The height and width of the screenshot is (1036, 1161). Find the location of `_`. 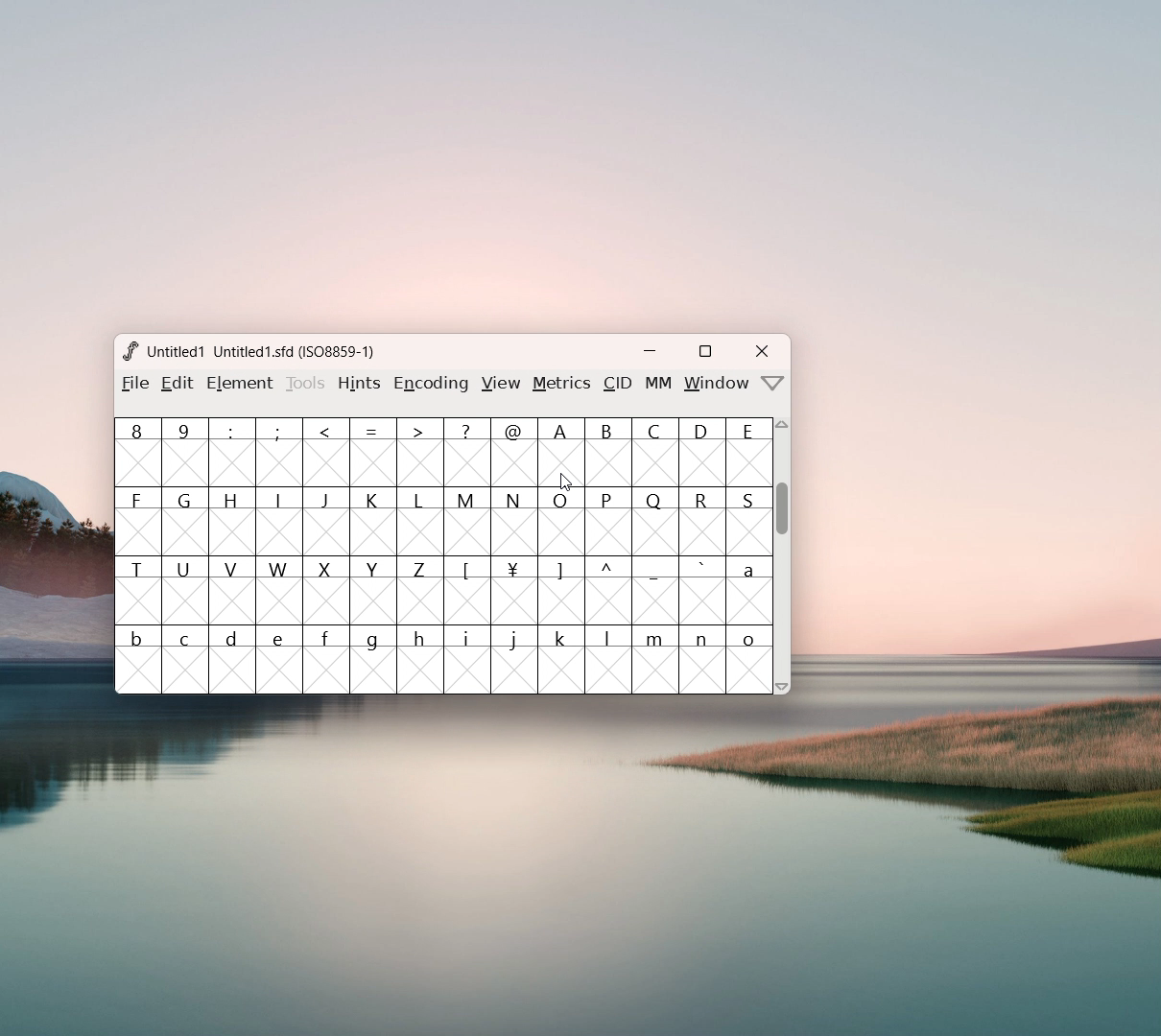

_ is located at coordinates (656, 590).